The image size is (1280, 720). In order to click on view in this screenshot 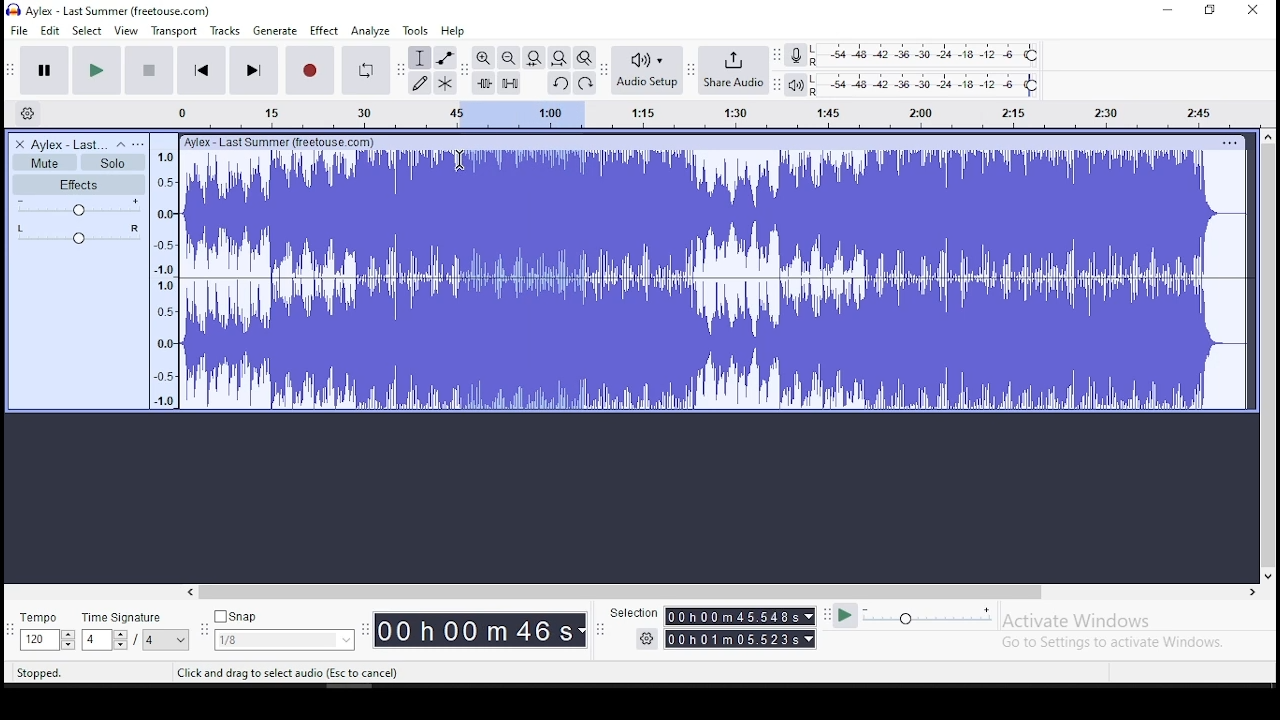, I will do `click(127, 31)`.